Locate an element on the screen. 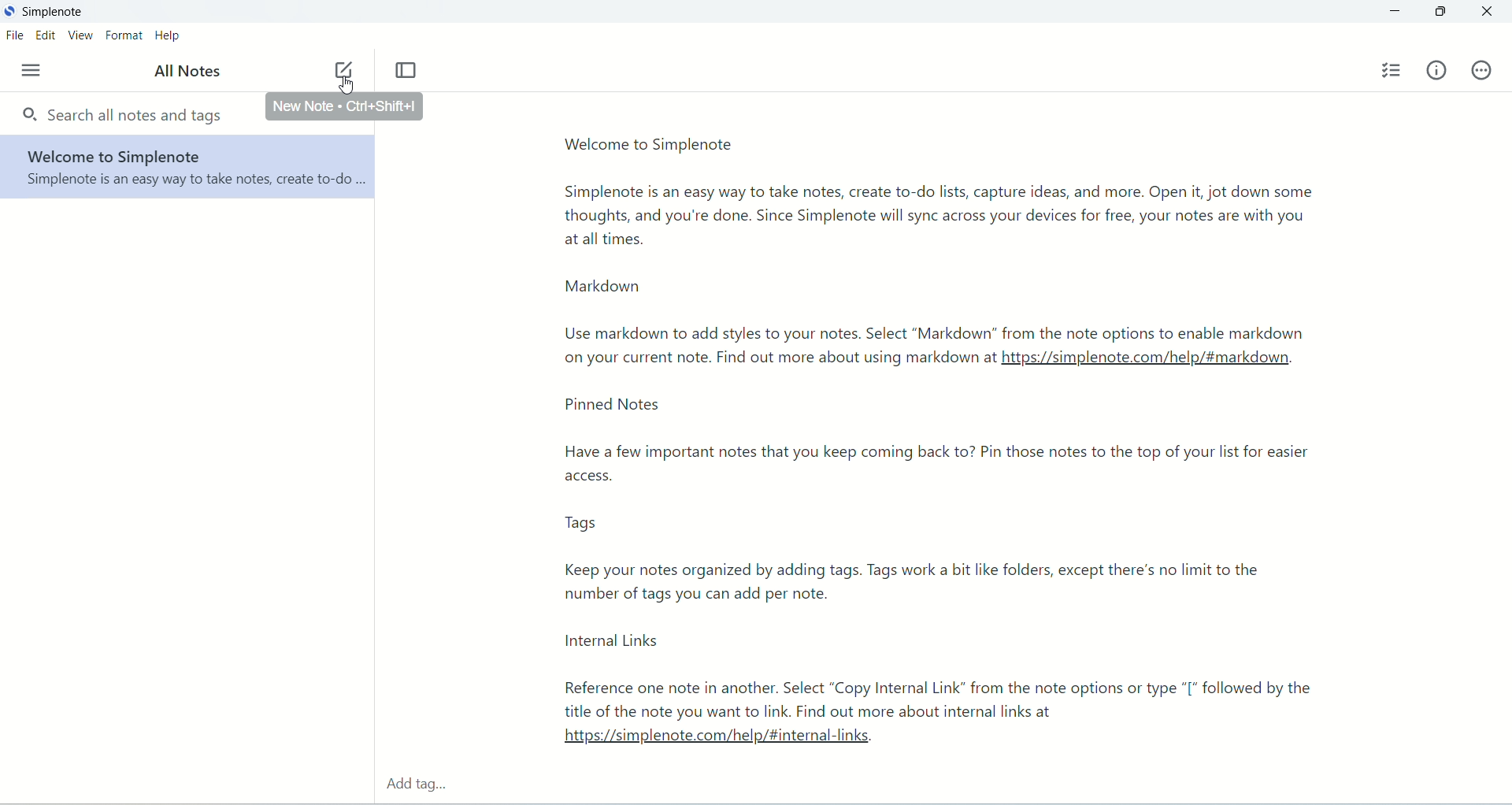 Image resolution: width=1512 pixels, height=805 pixels. maximize is located at coordinates (1443, 14).